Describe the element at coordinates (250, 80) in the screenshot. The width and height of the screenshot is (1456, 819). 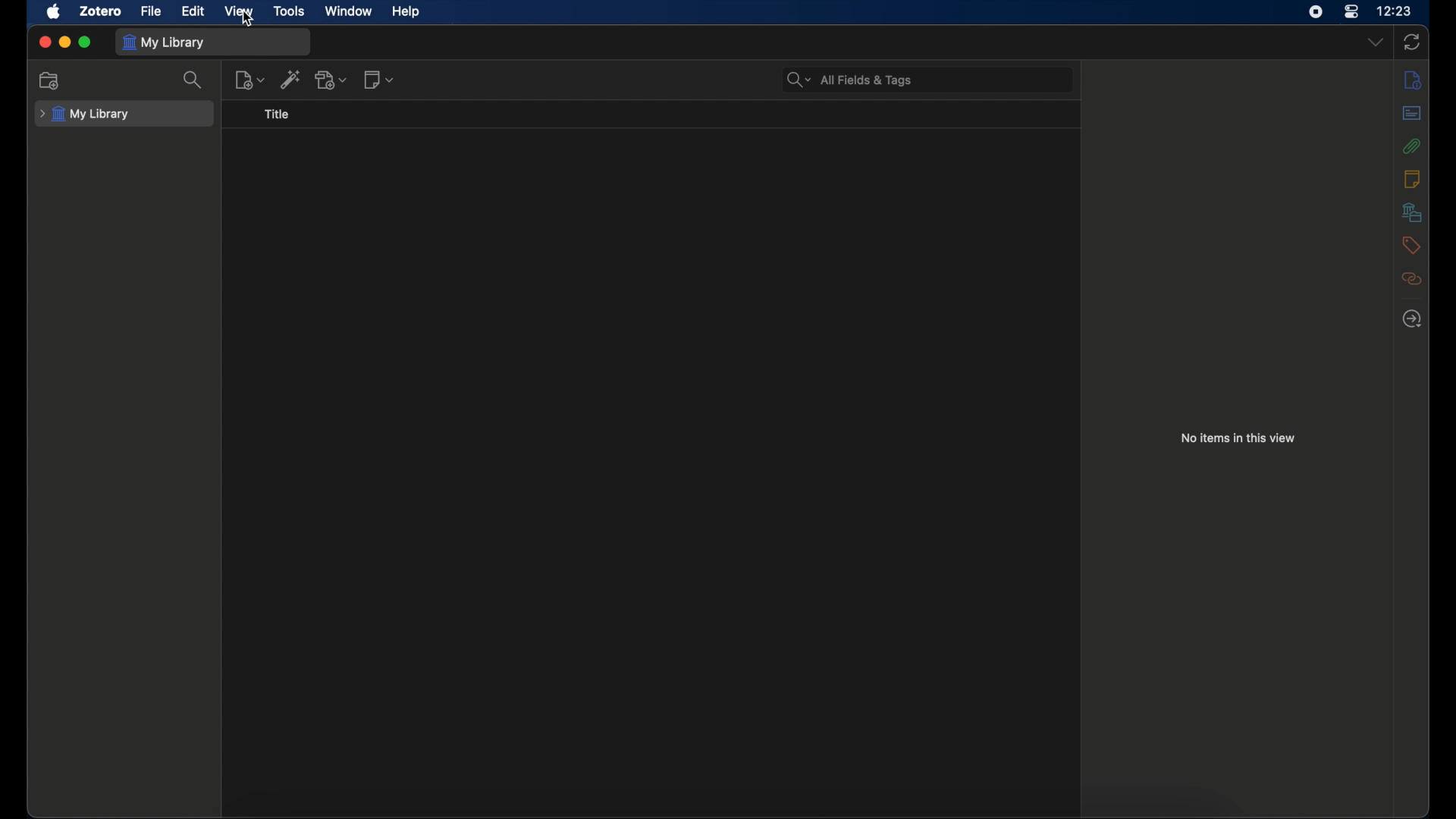
I see `new item` at that location.